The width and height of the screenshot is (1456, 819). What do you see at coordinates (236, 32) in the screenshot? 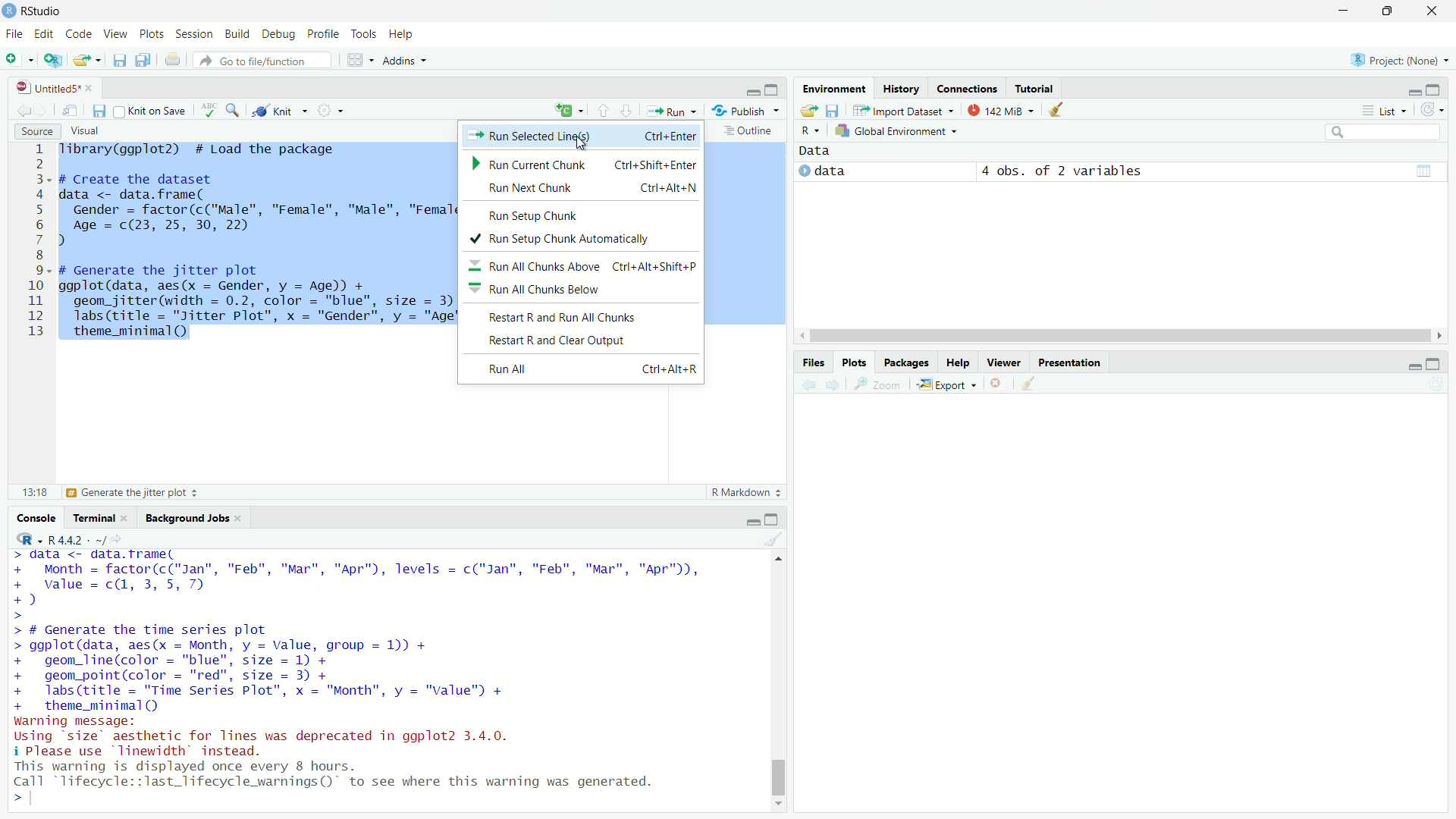
I see `build` at bounding box center [236, 32].